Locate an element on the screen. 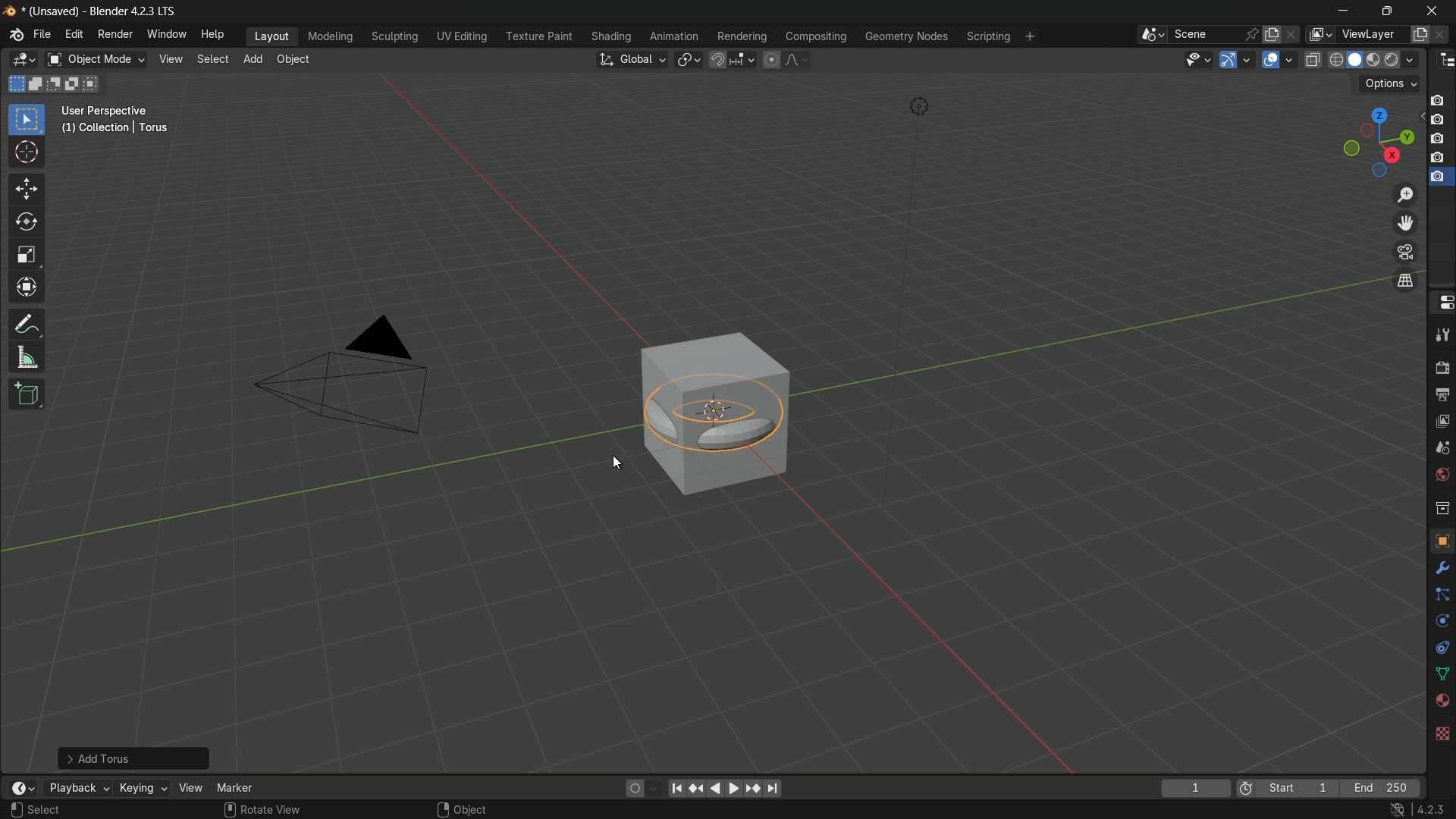 The width and height of the screenshot is (1456, 819). transformation orientation is located at coordinates (631, 60).